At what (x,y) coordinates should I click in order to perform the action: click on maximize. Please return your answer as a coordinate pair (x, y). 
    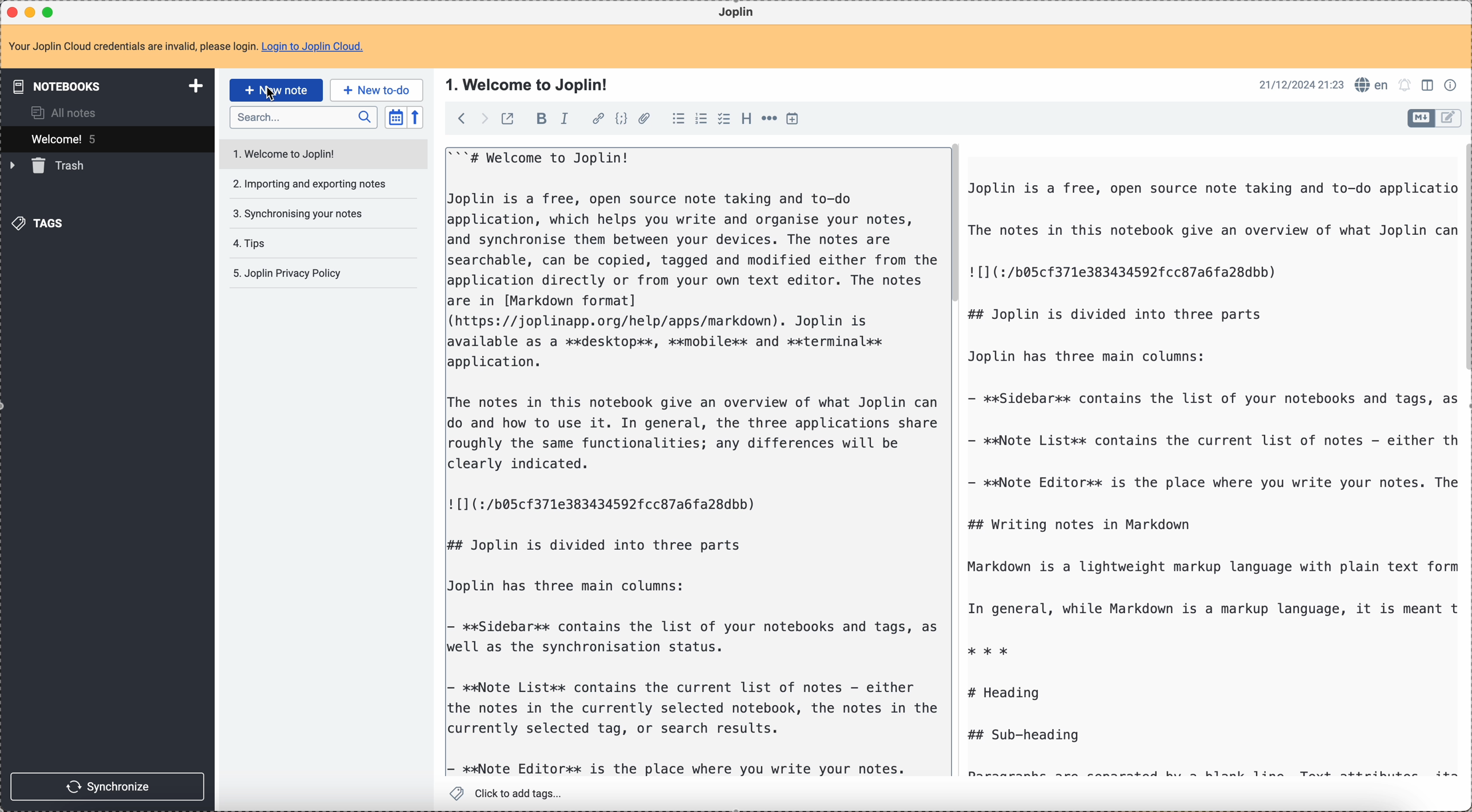
    Looking at the image, I should click on (49, 11).